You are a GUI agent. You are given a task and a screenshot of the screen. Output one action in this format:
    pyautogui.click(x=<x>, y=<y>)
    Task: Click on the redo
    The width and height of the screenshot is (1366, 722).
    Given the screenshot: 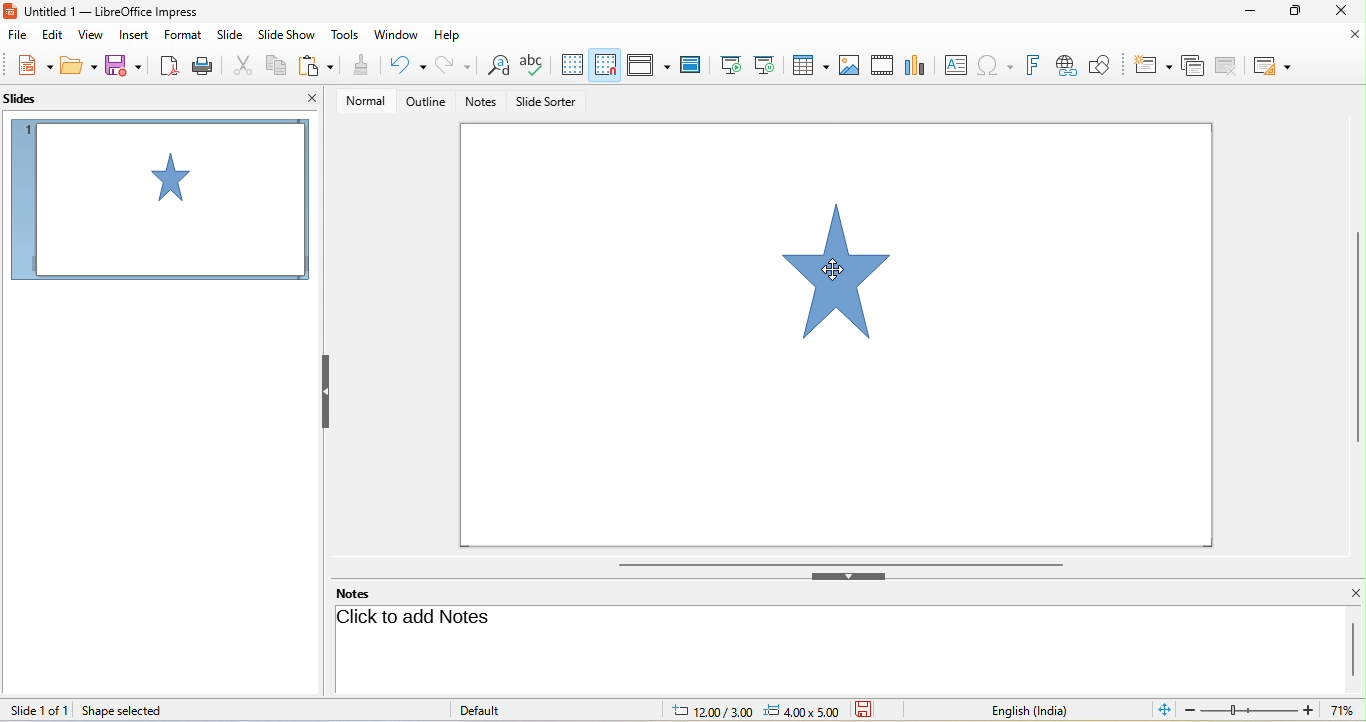 What is the action you would take?
    pyautogui.click(x=451, y=65)
    